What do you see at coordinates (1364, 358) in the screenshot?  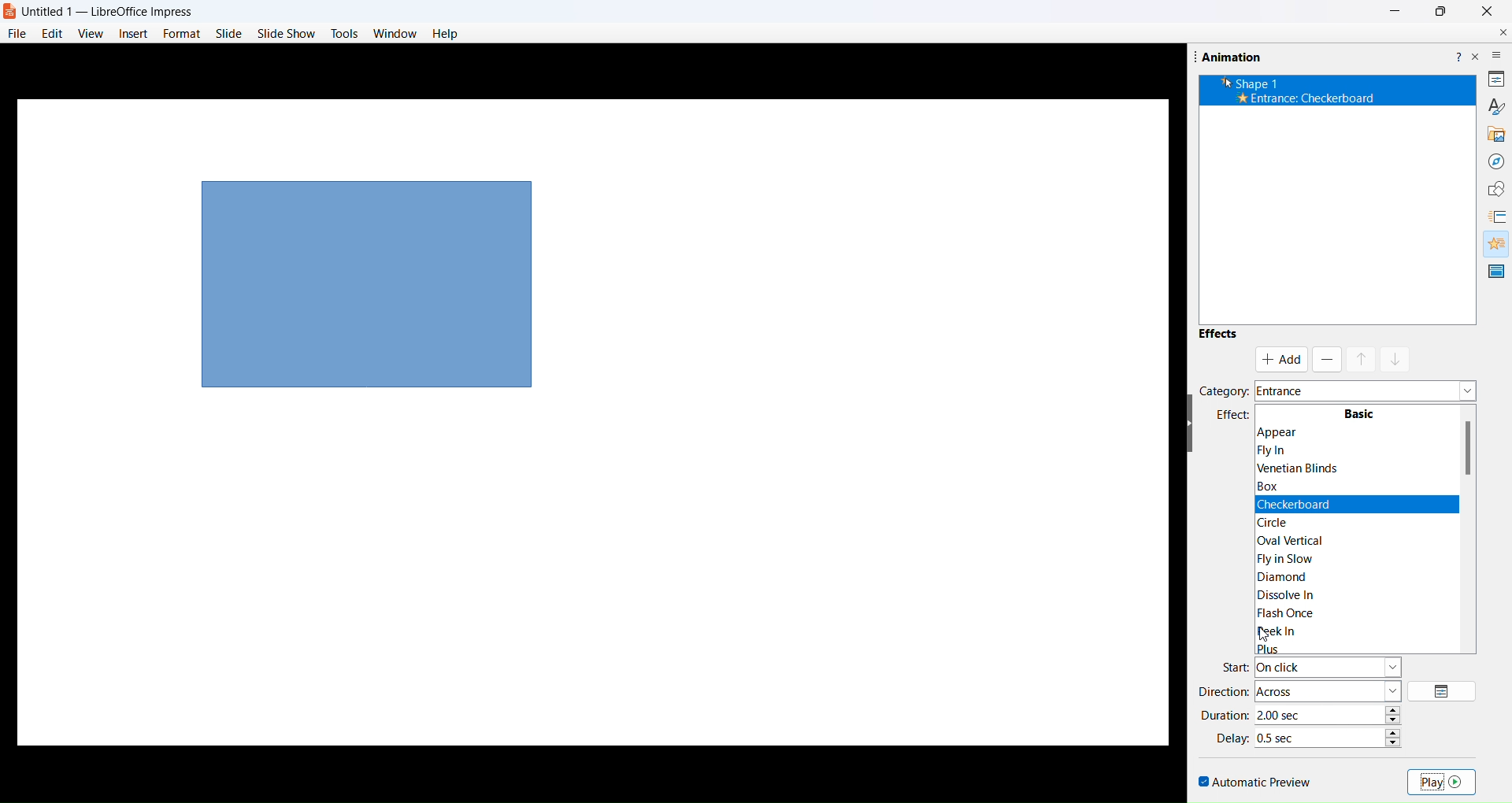 I see `mask up` at bounding box center [1364, 358].